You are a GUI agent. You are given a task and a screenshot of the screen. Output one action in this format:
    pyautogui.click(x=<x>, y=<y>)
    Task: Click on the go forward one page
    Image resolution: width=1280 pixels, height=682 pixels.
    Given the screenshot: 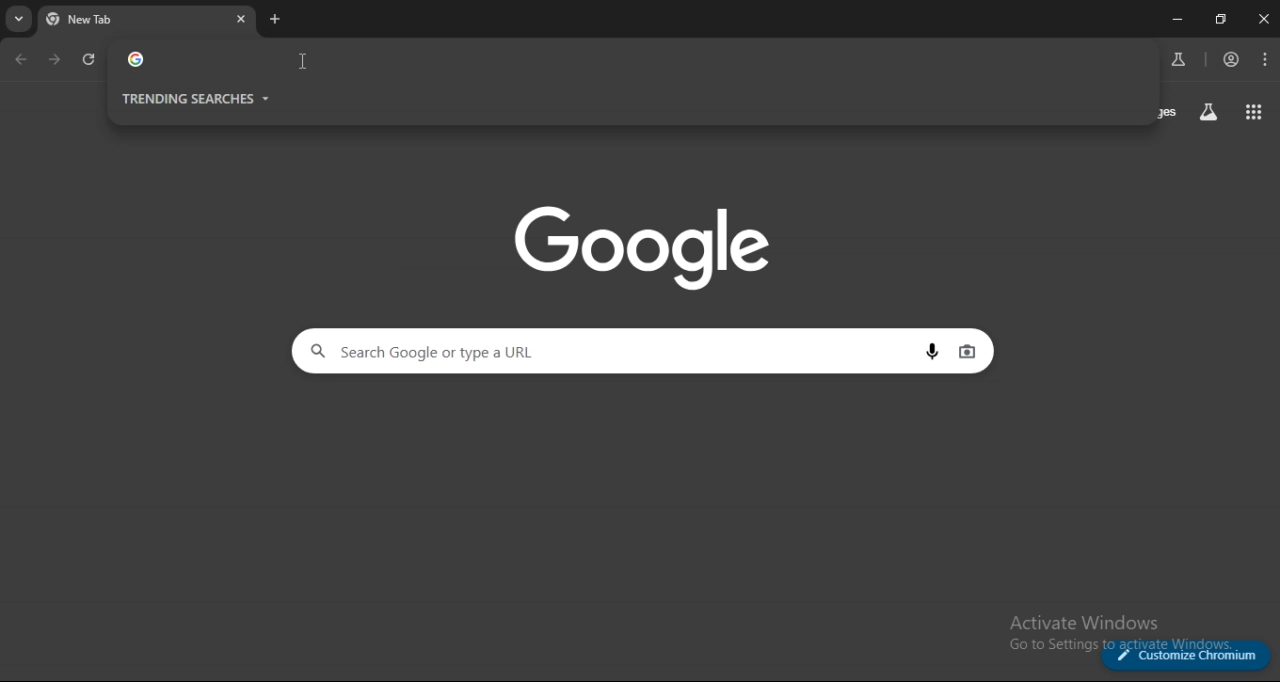 What is the action you would take?
    pyautogui.click(x=58, y=60)
    